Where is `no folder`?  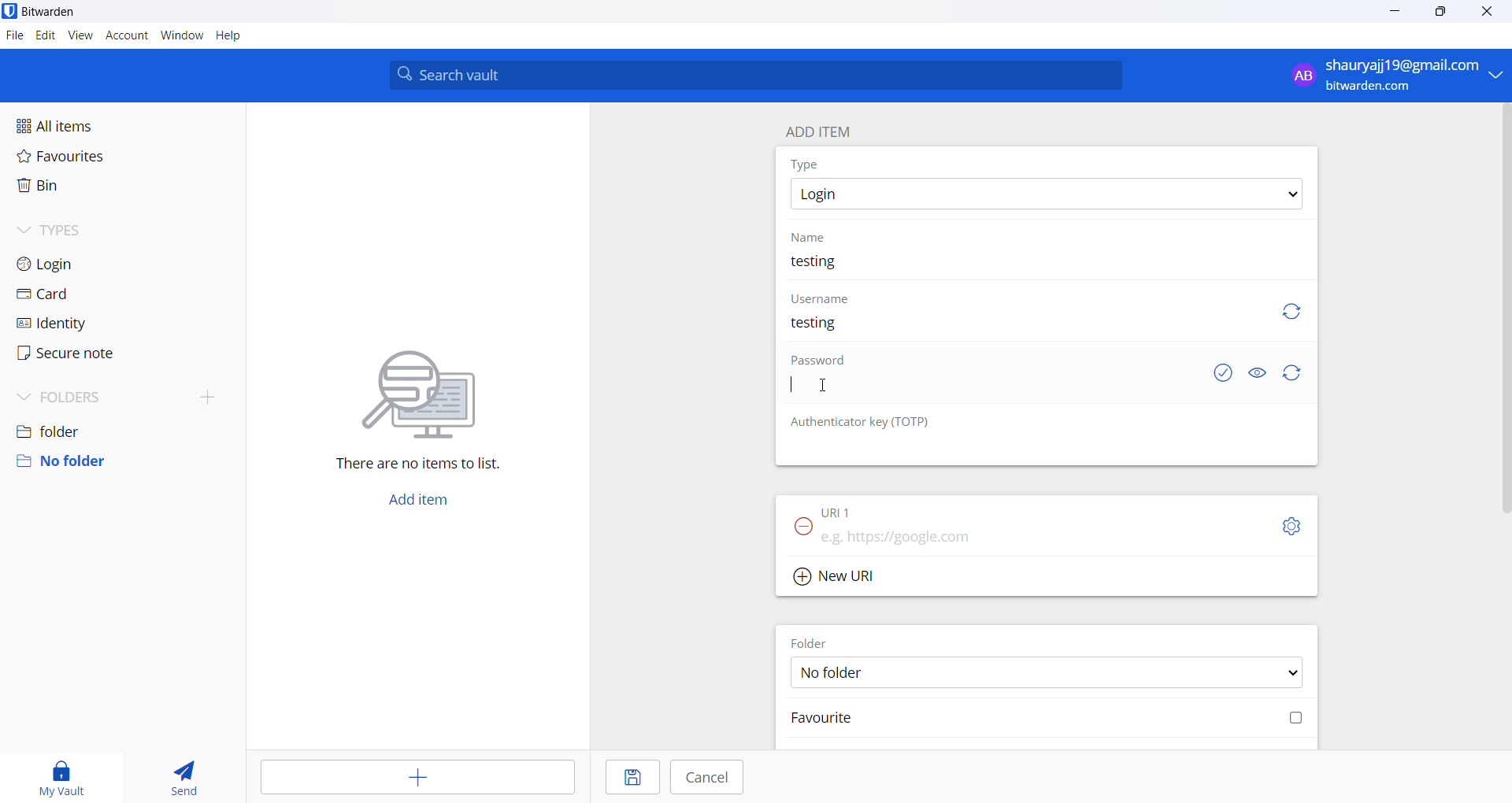 no folder is located at coordinates (117, 461).